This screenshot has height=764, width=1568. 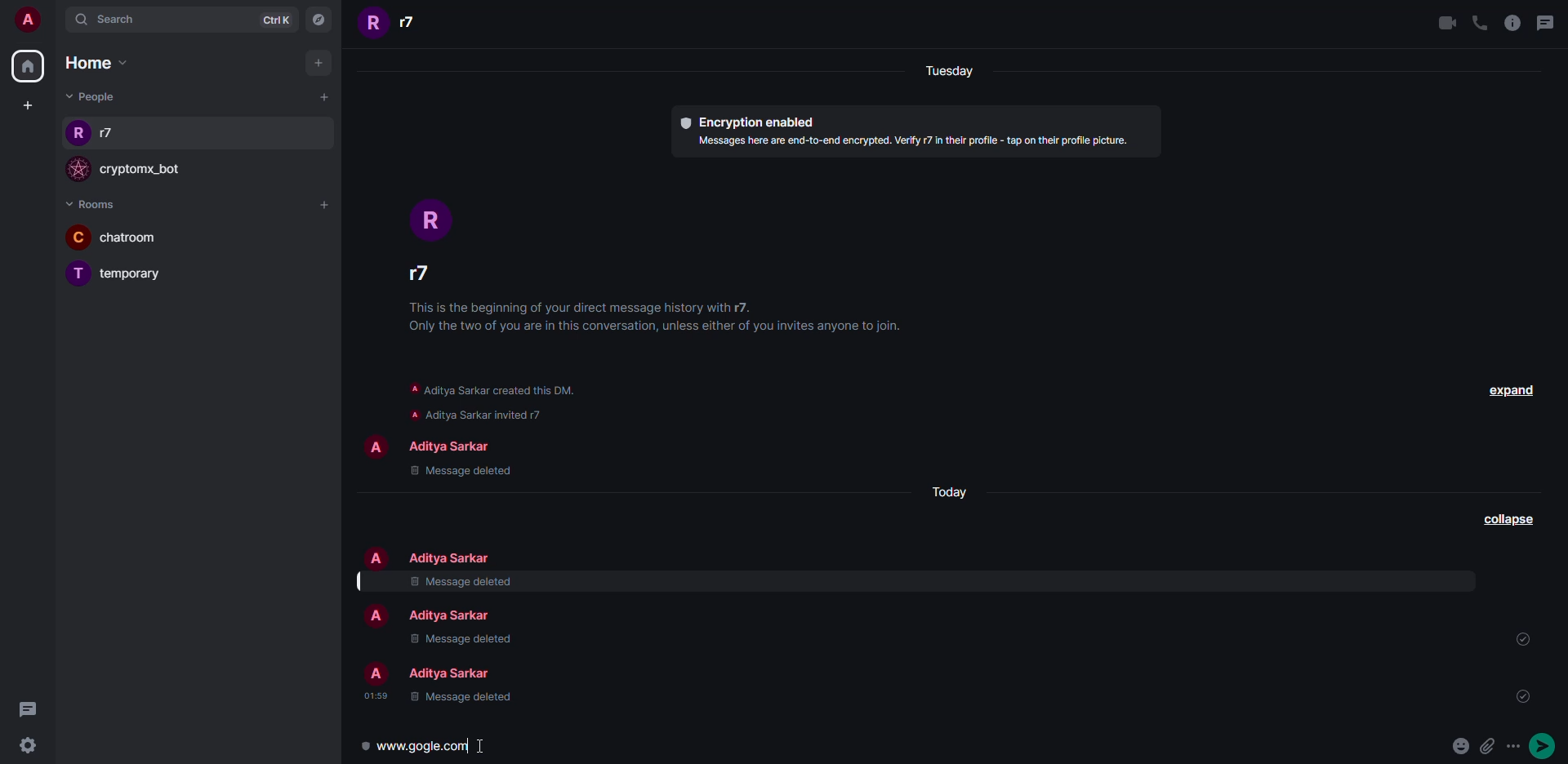 What do you see at coordinates (413, 25) in the screenshot?
I see `people` at bounding box center [413, 25].